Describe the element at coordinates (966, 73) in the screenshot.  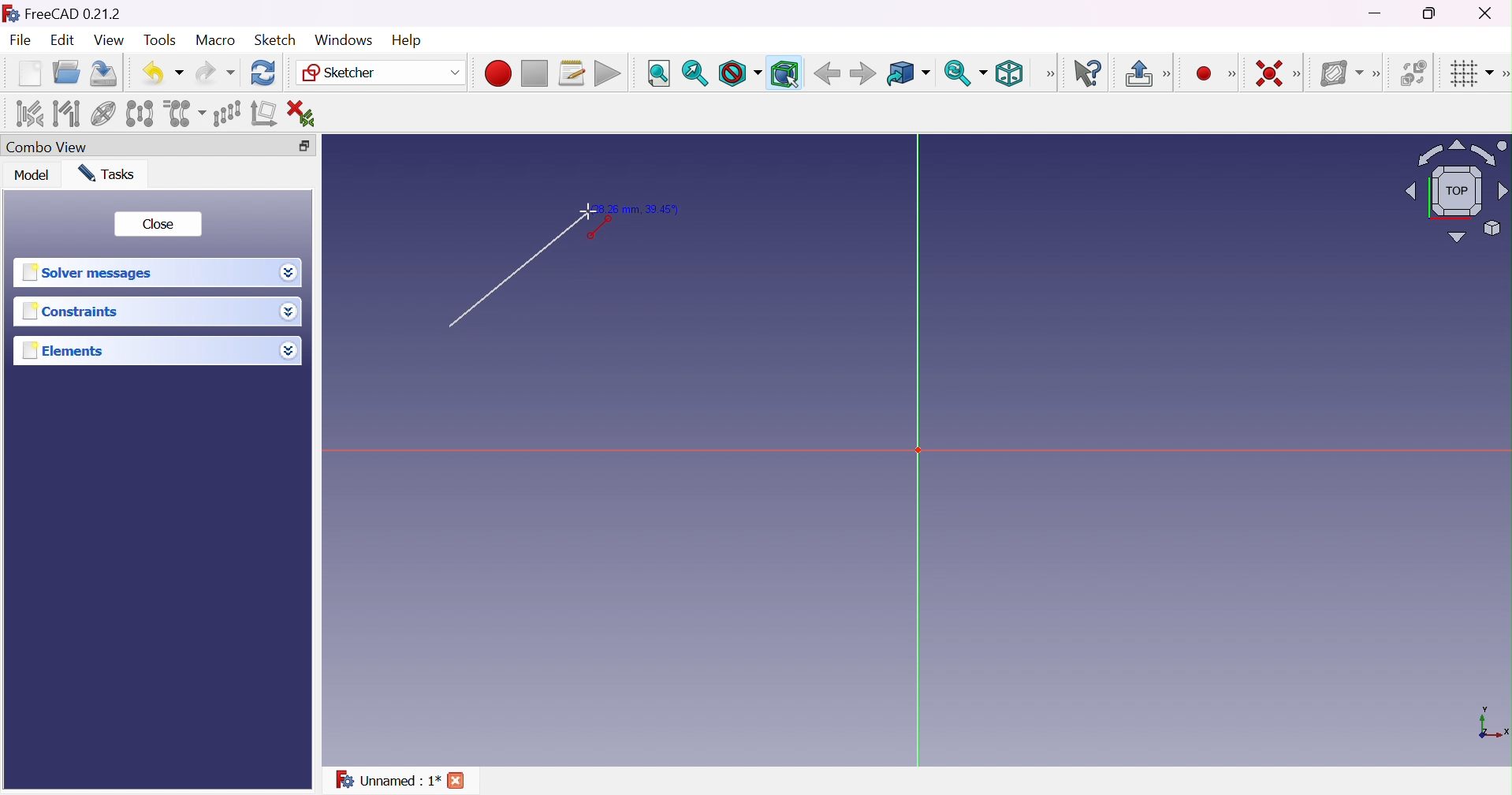
I see `Sync view` at that location.